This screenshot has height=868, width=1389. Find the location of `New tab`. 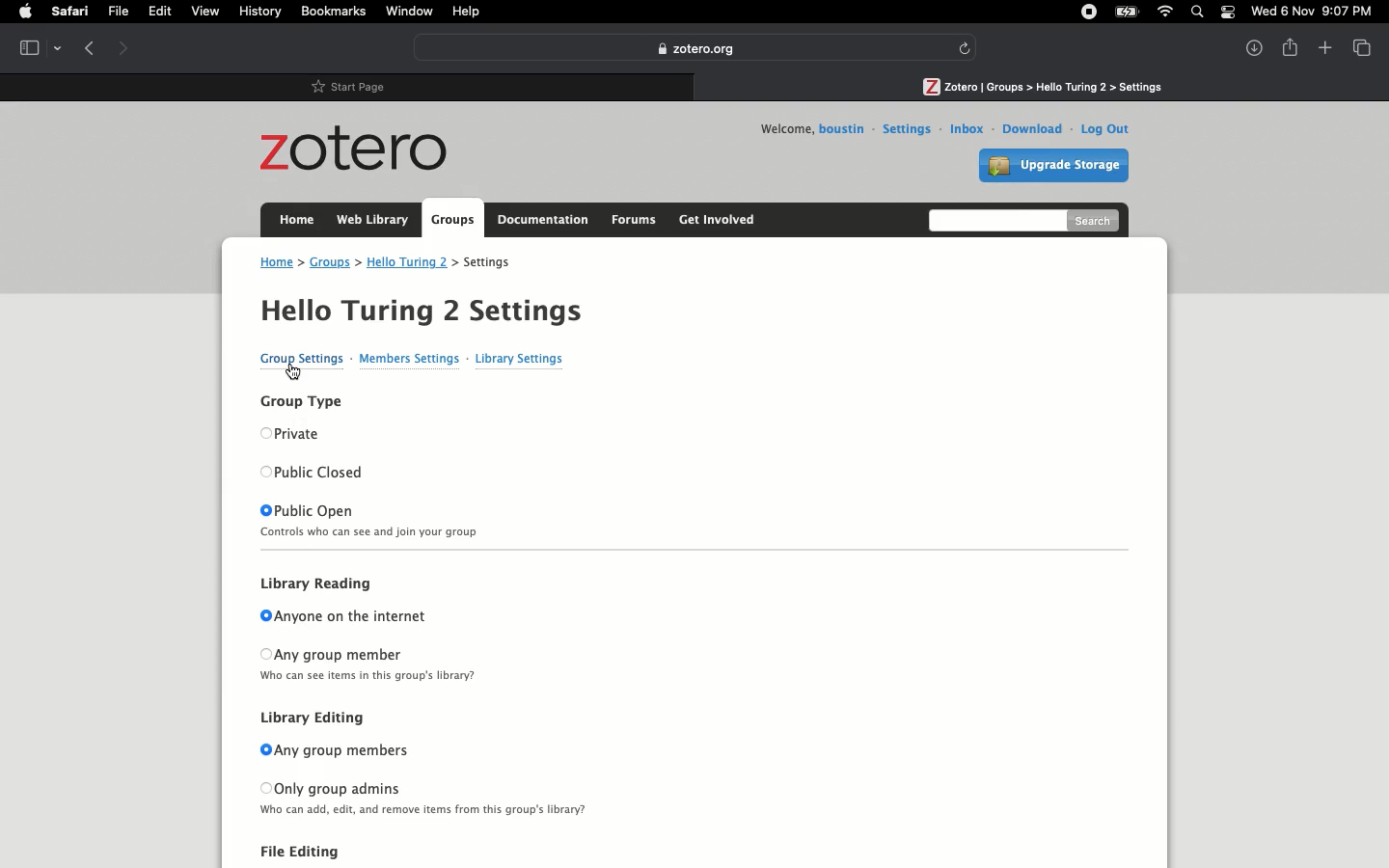

New tab is located at coordinates (1323, 48).